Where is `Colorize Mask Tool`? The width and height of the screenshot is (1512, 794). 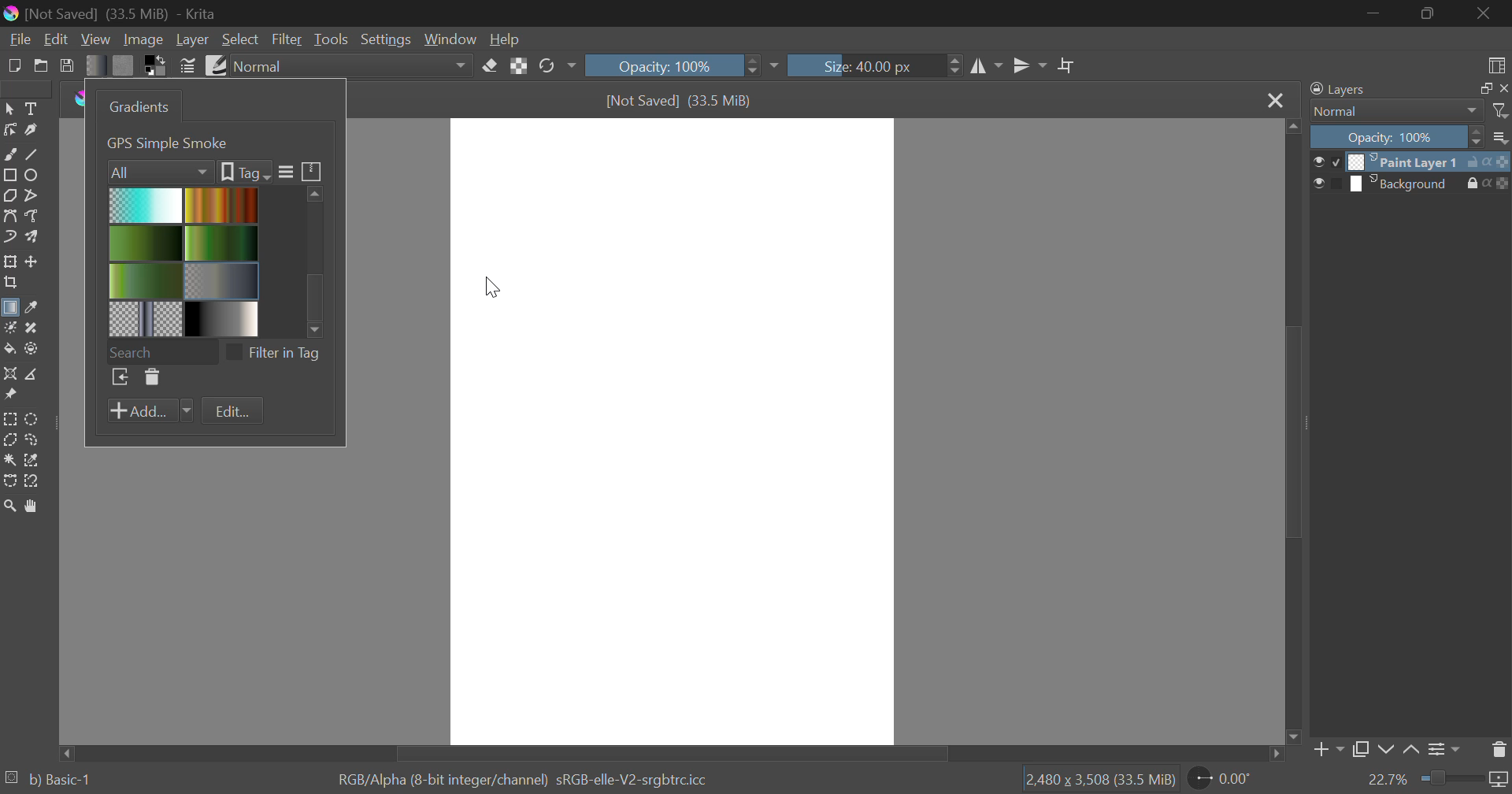 Colorize Mask Tool is located at coordinates (9, 328).